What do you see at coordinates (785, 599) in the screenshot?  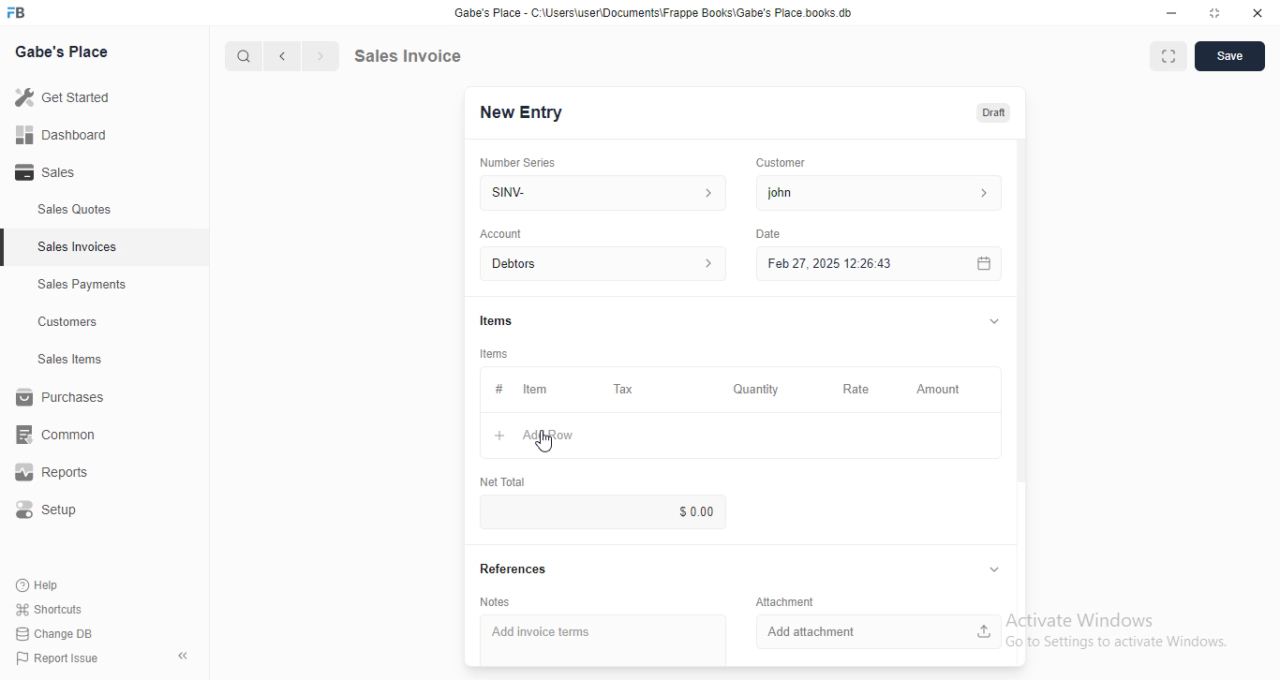 I see `Attachment` at bounding box center [785, 599].